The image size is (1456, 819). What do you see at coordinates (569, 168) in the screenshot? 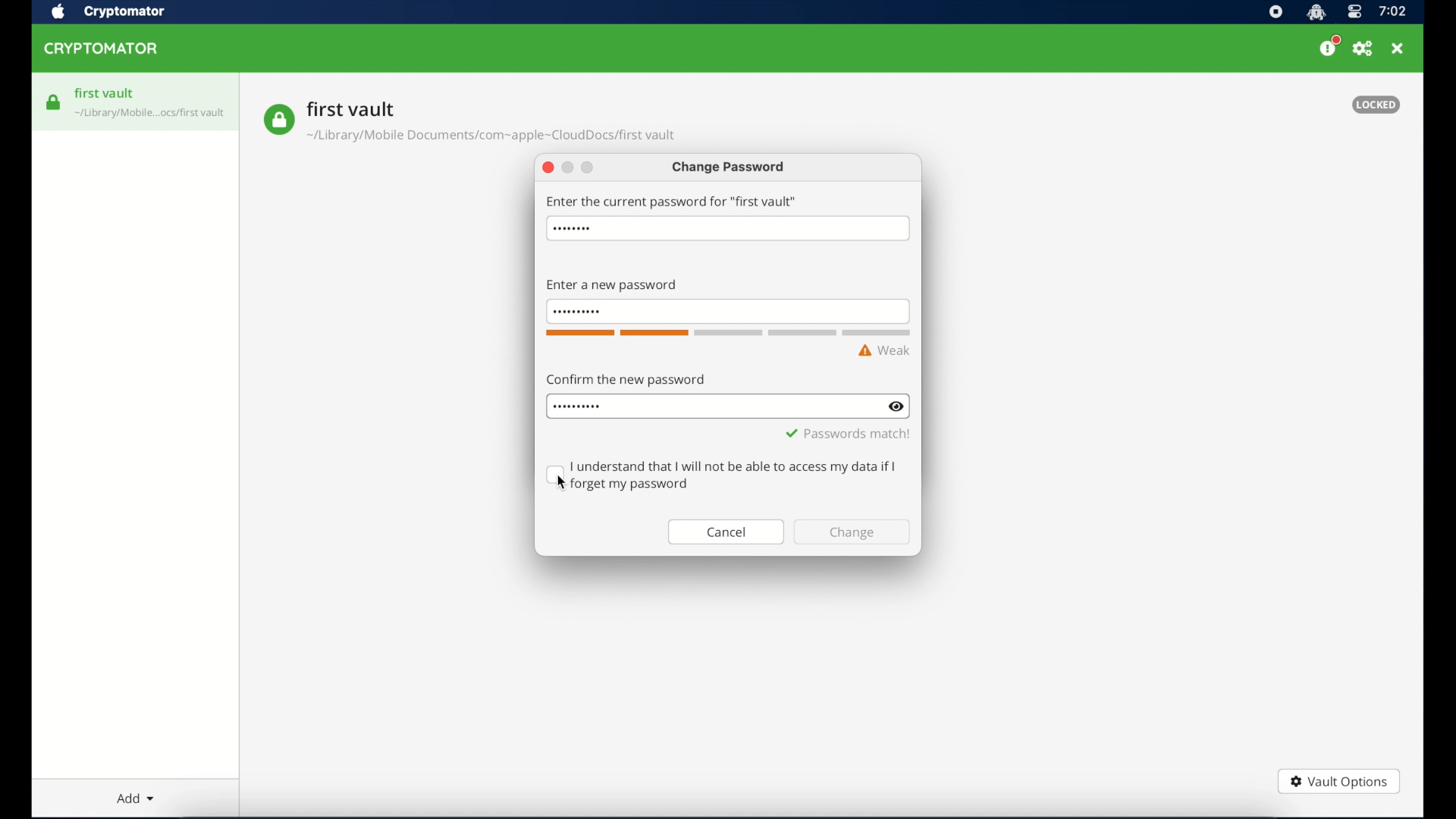
I see `minimize` at bounding box center [569, 168].